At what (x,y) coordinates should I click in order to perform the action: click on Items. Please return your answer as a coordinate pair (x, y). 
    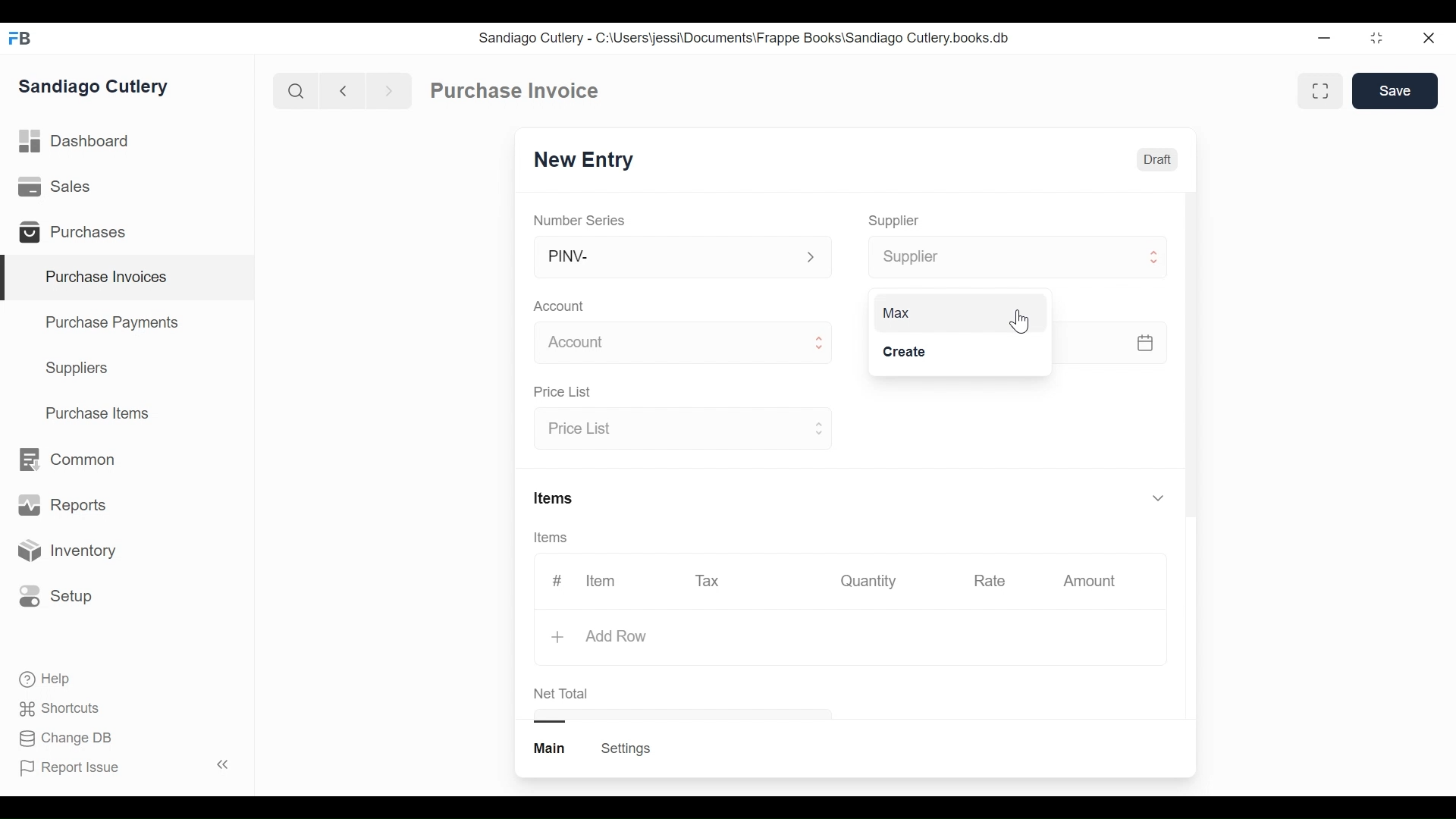
    Looking at the image, I should click on (556, 538).